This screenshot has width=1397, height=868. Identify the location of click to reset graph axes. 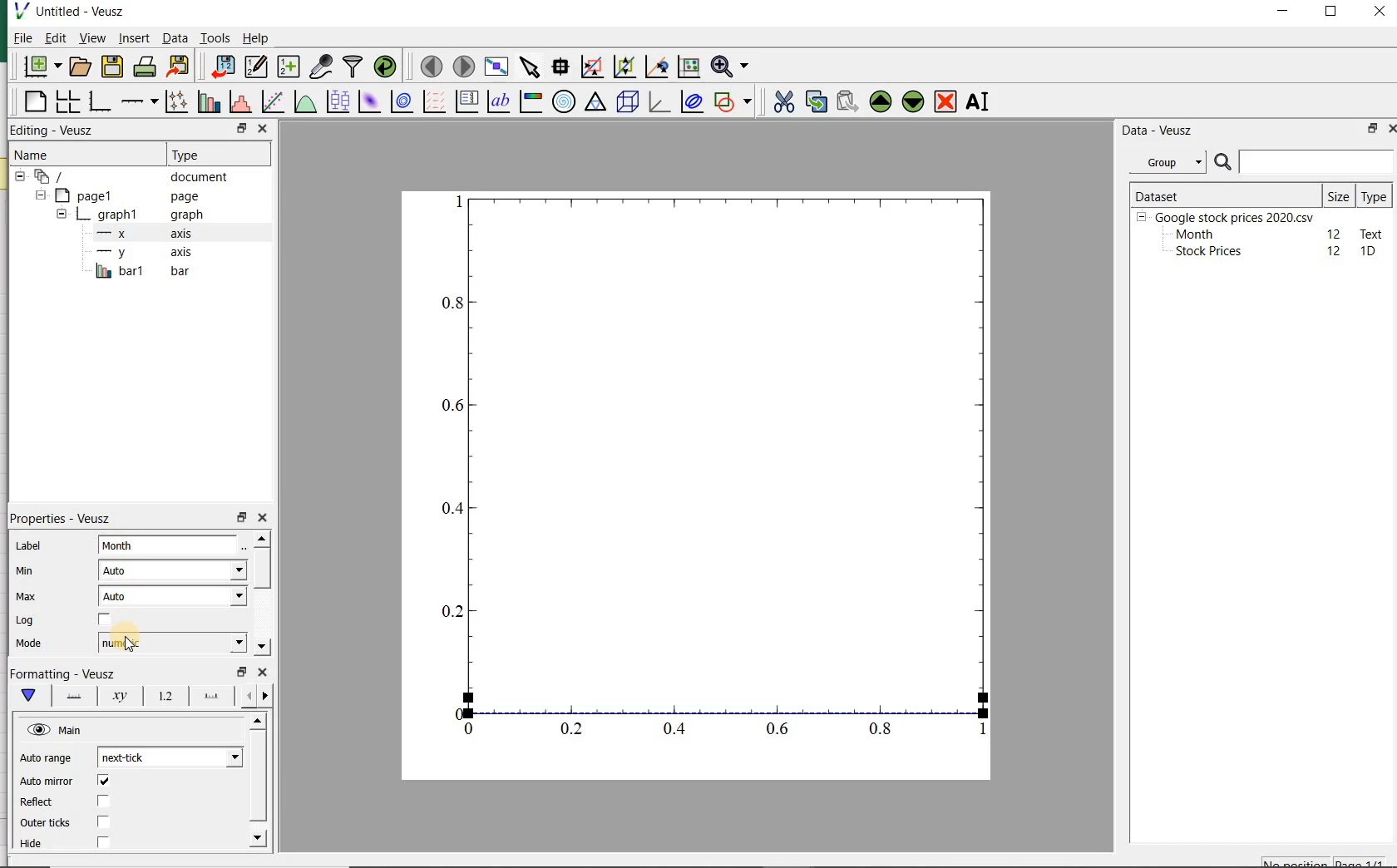
(687, 67).